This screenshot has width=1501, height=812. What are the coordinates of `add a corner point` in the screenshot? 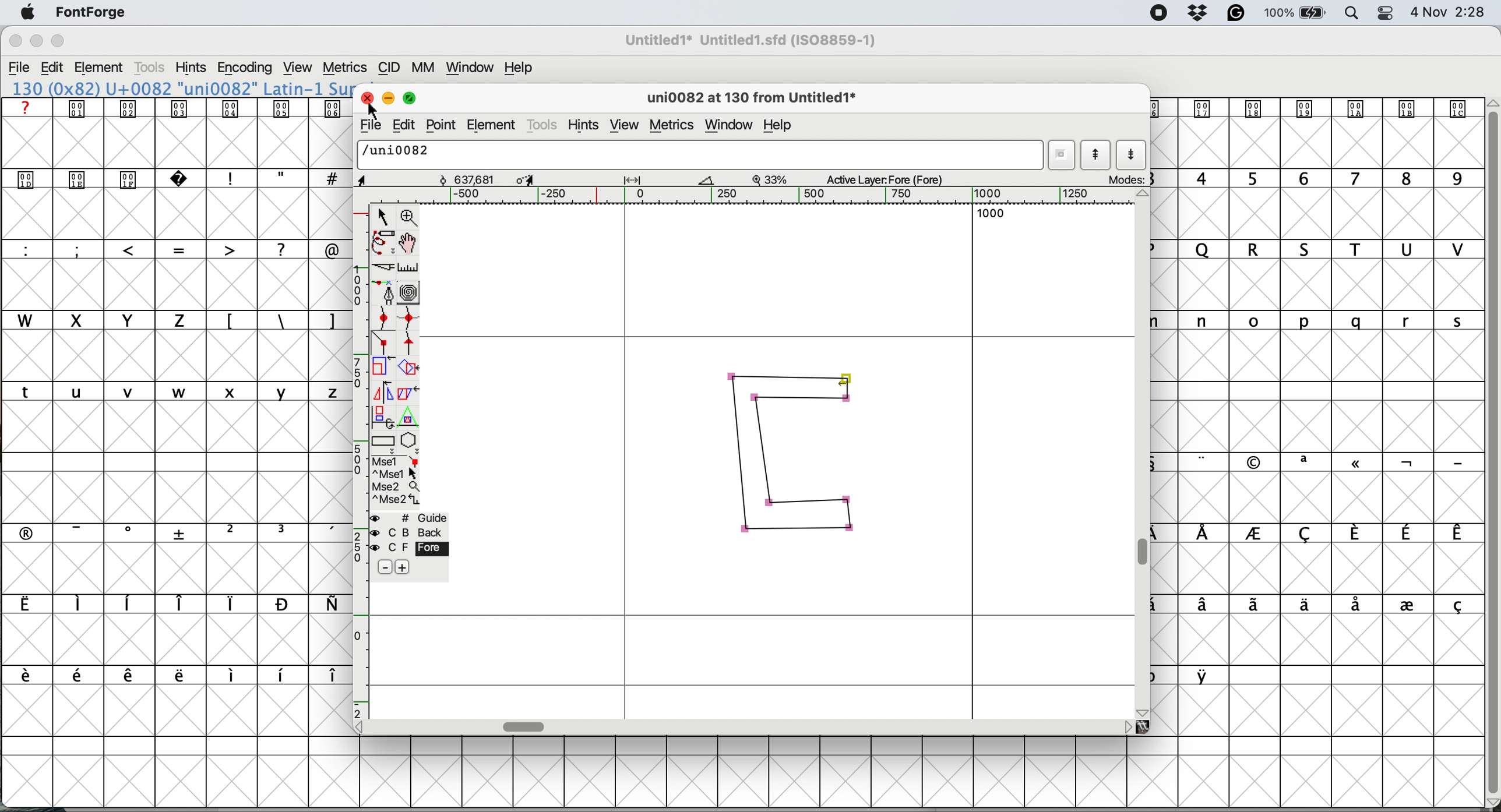 It's located at (383, 344).